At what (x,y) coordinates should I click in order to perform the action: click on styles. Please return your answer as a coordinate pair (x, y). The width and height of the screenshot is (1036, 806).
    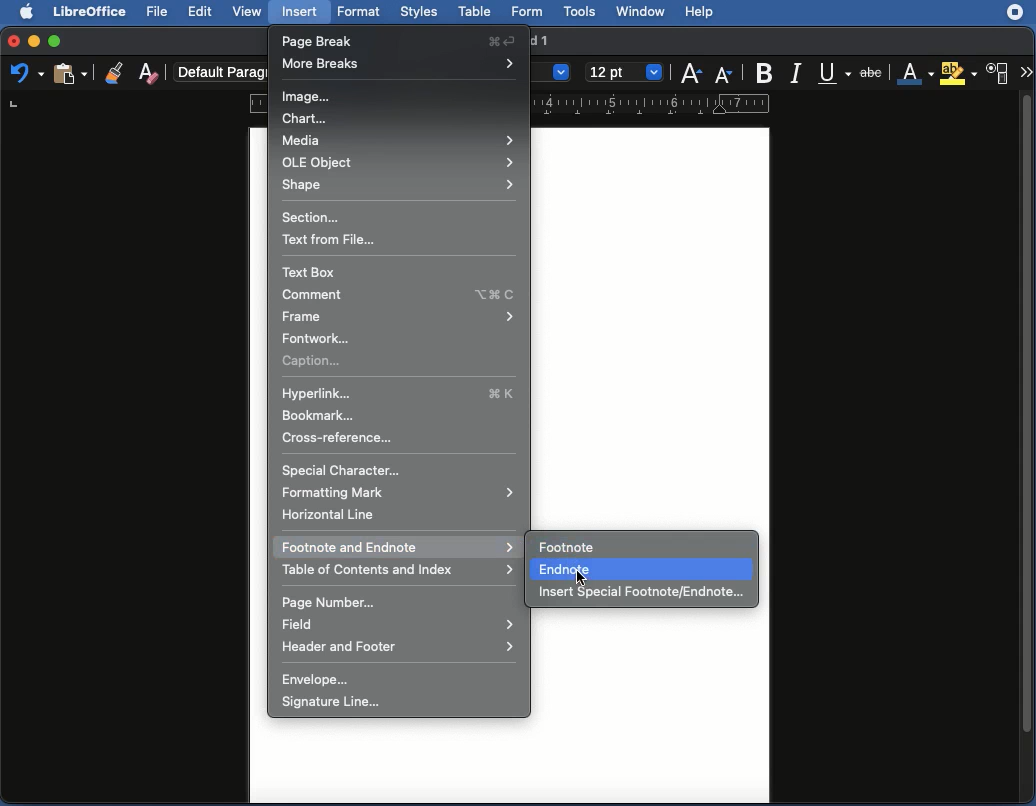
    Looking at the image, I should click on (418, 13).